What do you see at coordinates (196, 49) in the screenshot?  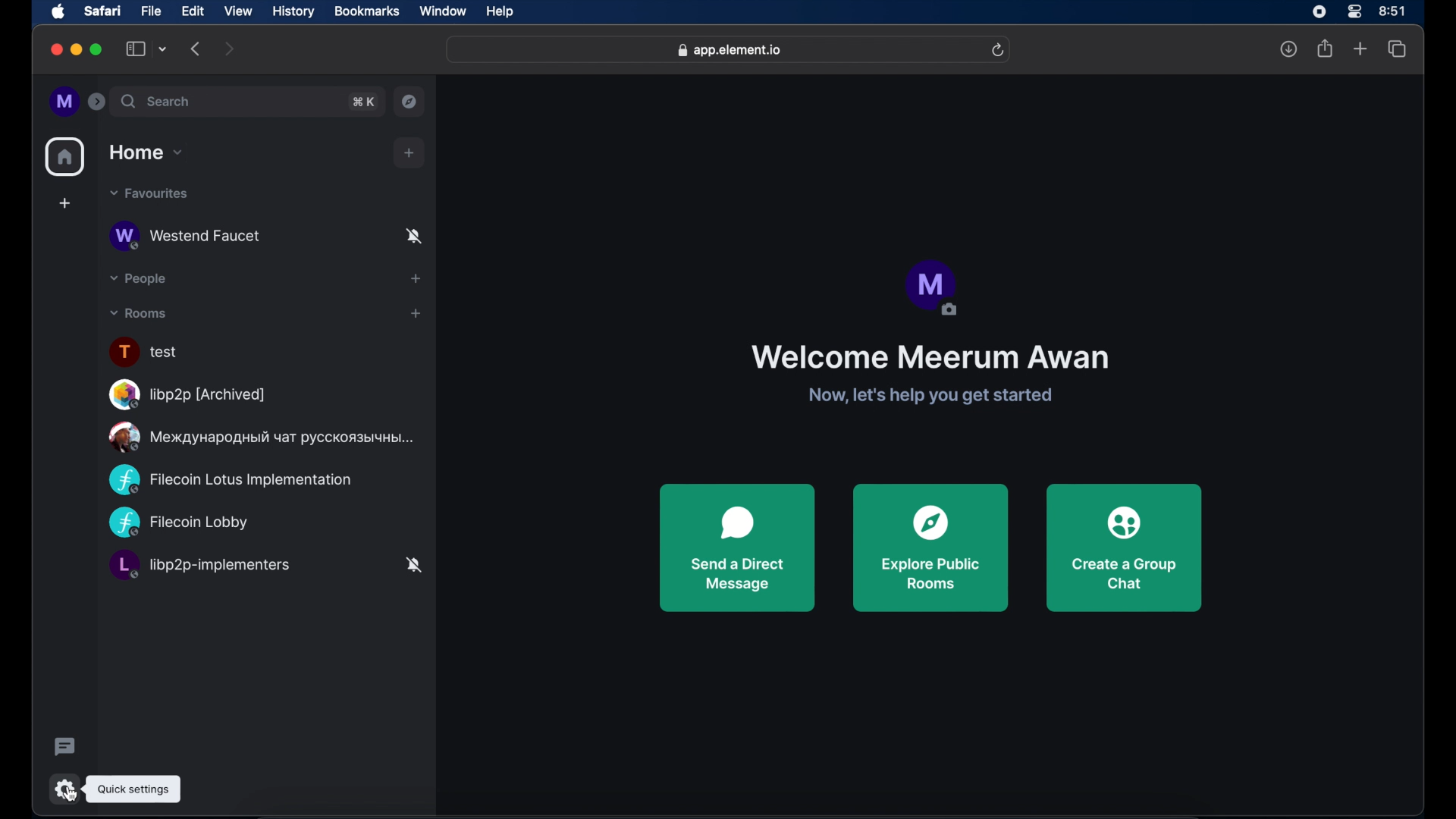 I see `backward` at bounding box center [196, 49].